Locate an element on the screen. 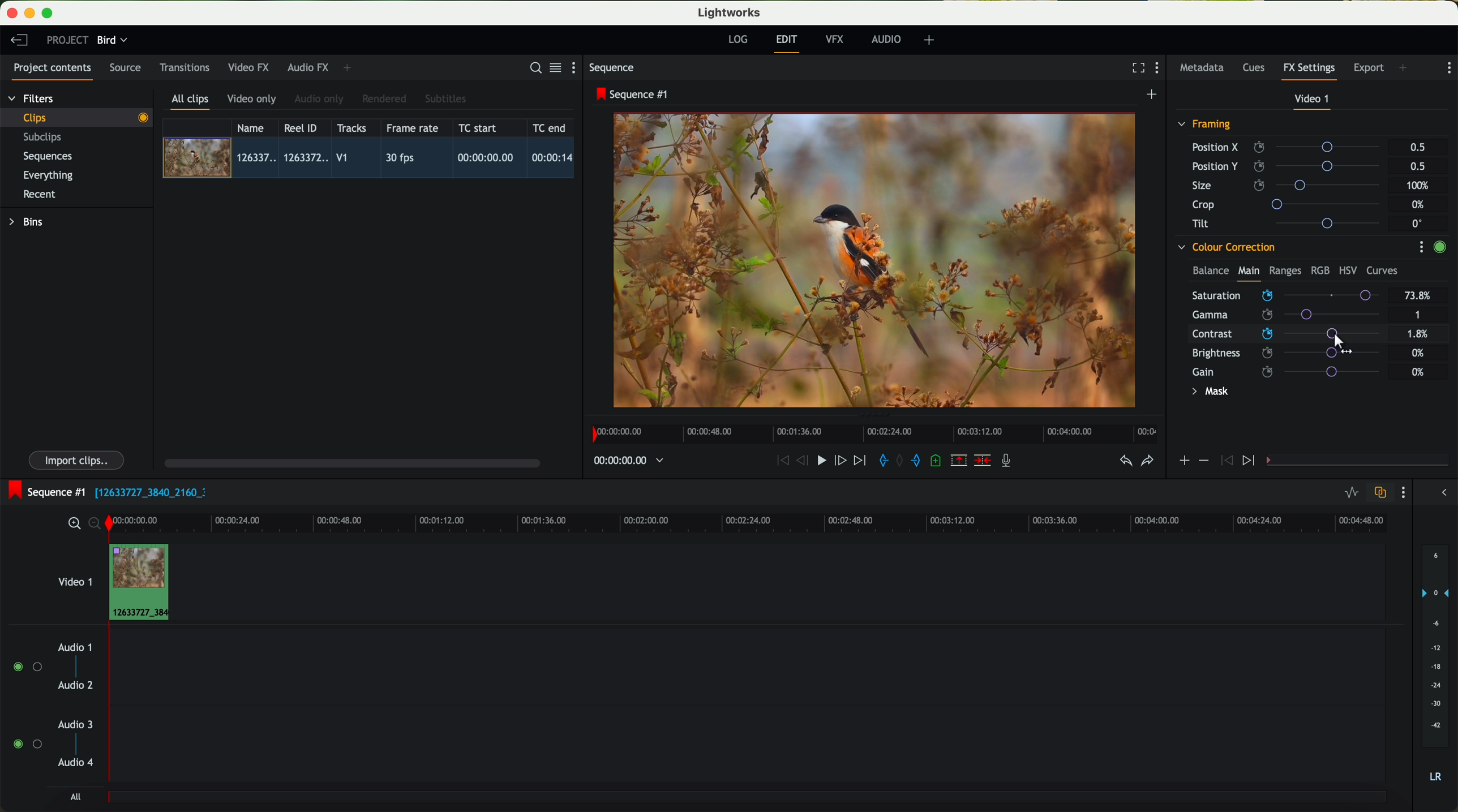 The width and height of the screenshot is (1458, 812). timeline is located at coordinates (778, 522).